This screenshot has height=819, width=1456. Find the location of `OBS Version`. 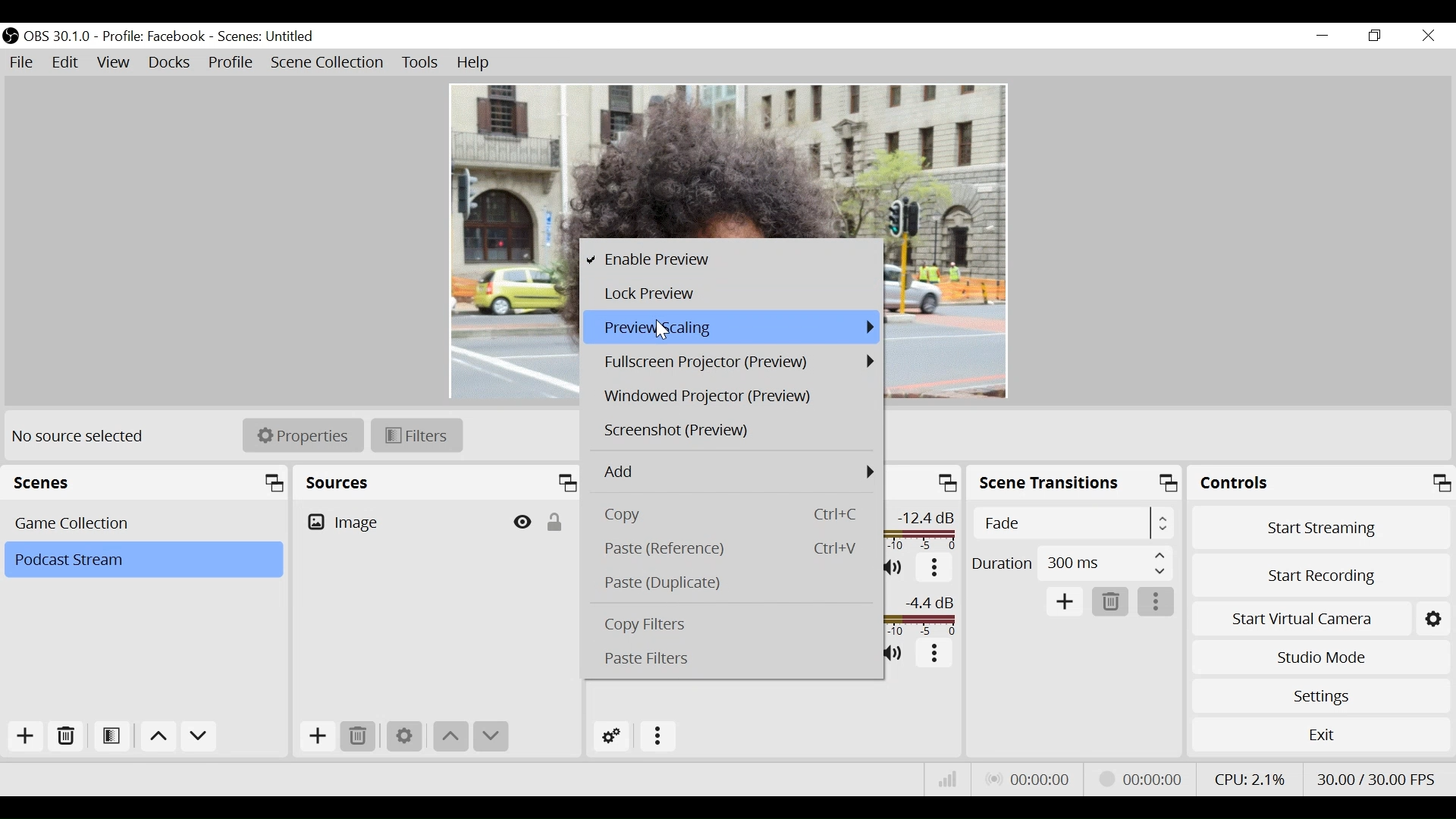

OBS Version is located at coordinates (58, 37).